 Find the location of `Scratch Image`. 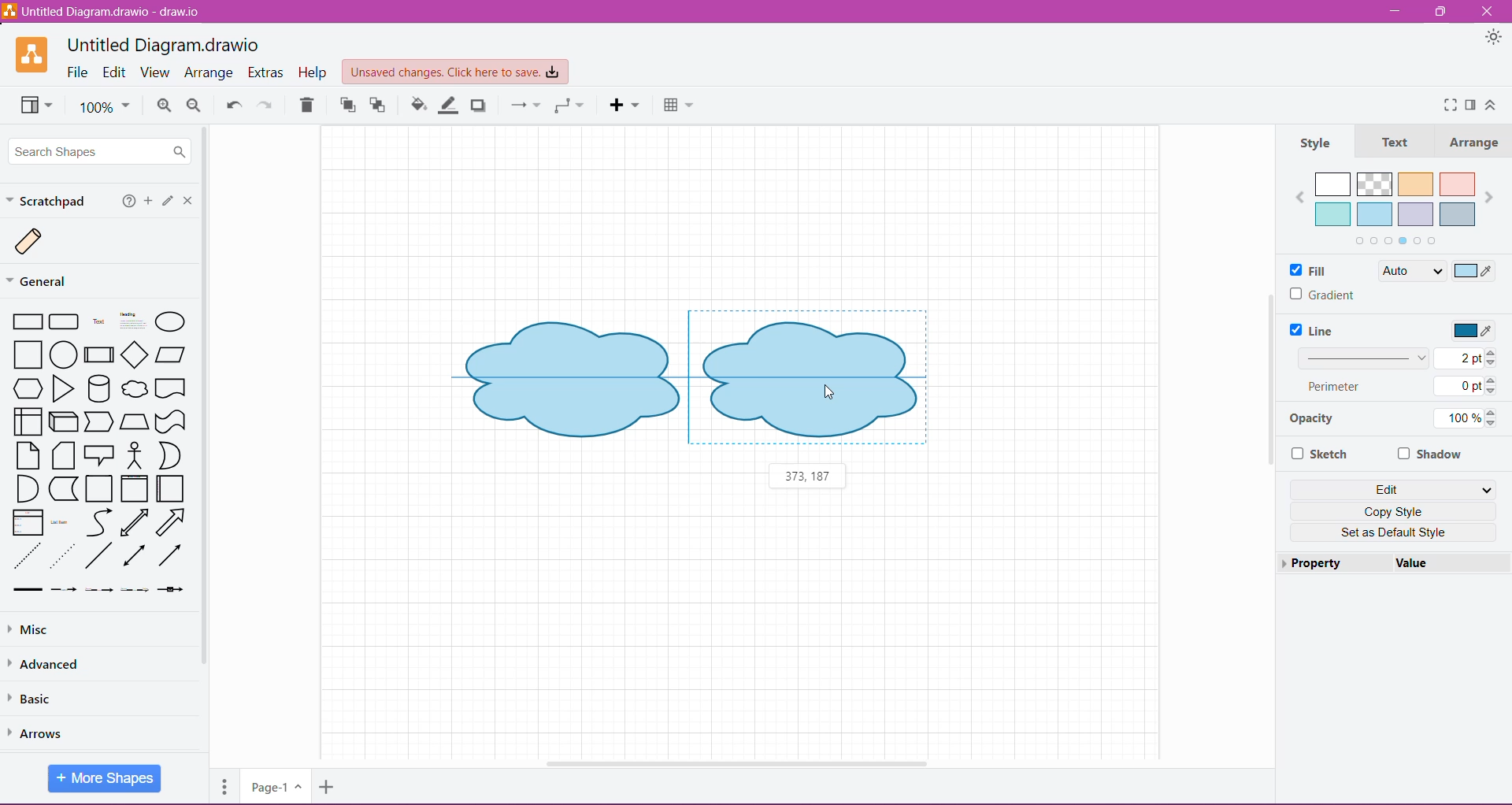

Scratch Image is located at coordinates (41, 243).